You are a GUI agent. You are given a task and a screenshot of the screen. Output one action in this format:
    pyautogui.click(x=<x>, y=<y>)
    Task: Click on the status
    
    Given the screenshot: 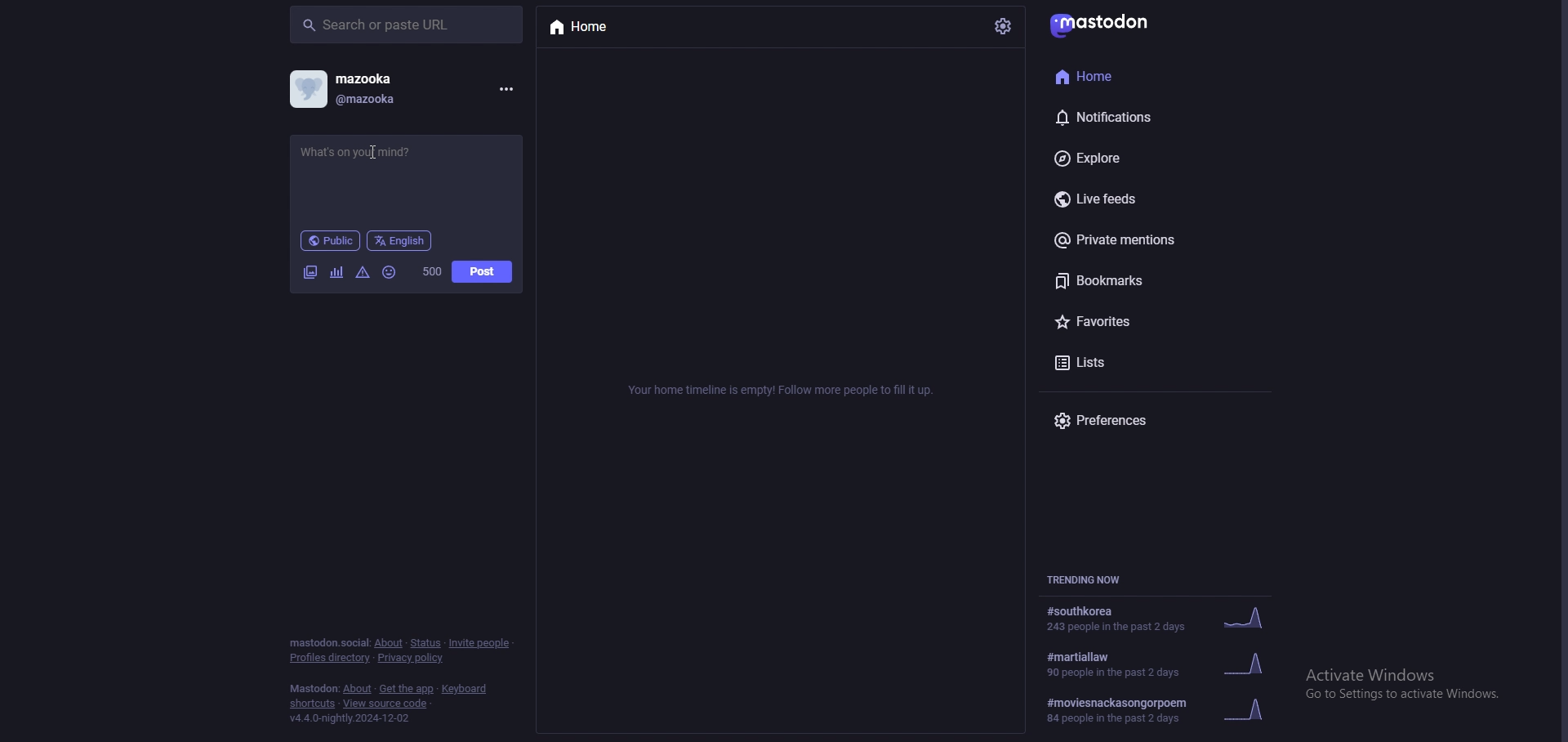 What is the action you would take?
    pyautogui.click(x=374, y=153)
    